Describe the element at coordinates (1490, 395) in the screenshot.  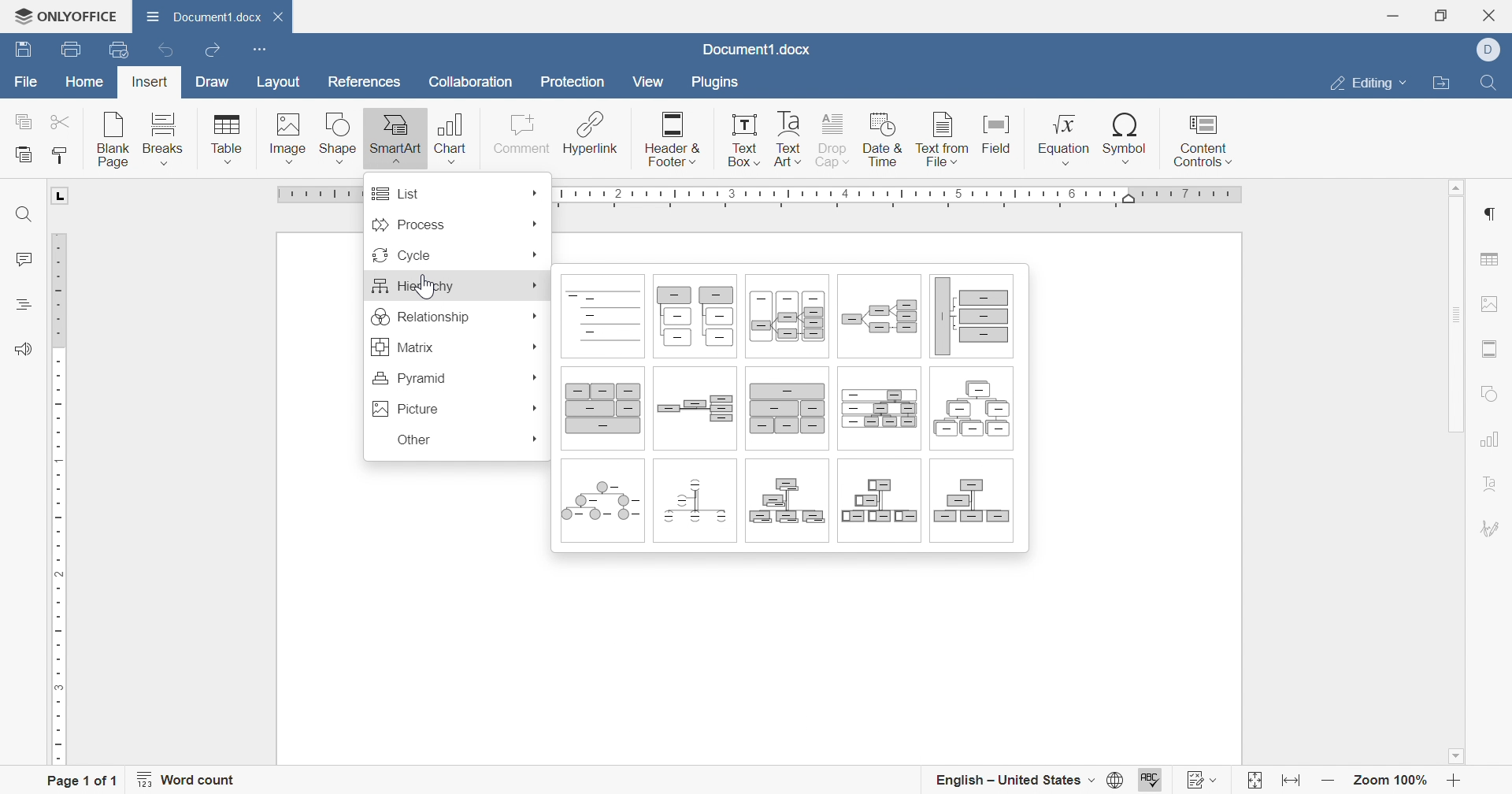
I see `Shape settings` at that location.